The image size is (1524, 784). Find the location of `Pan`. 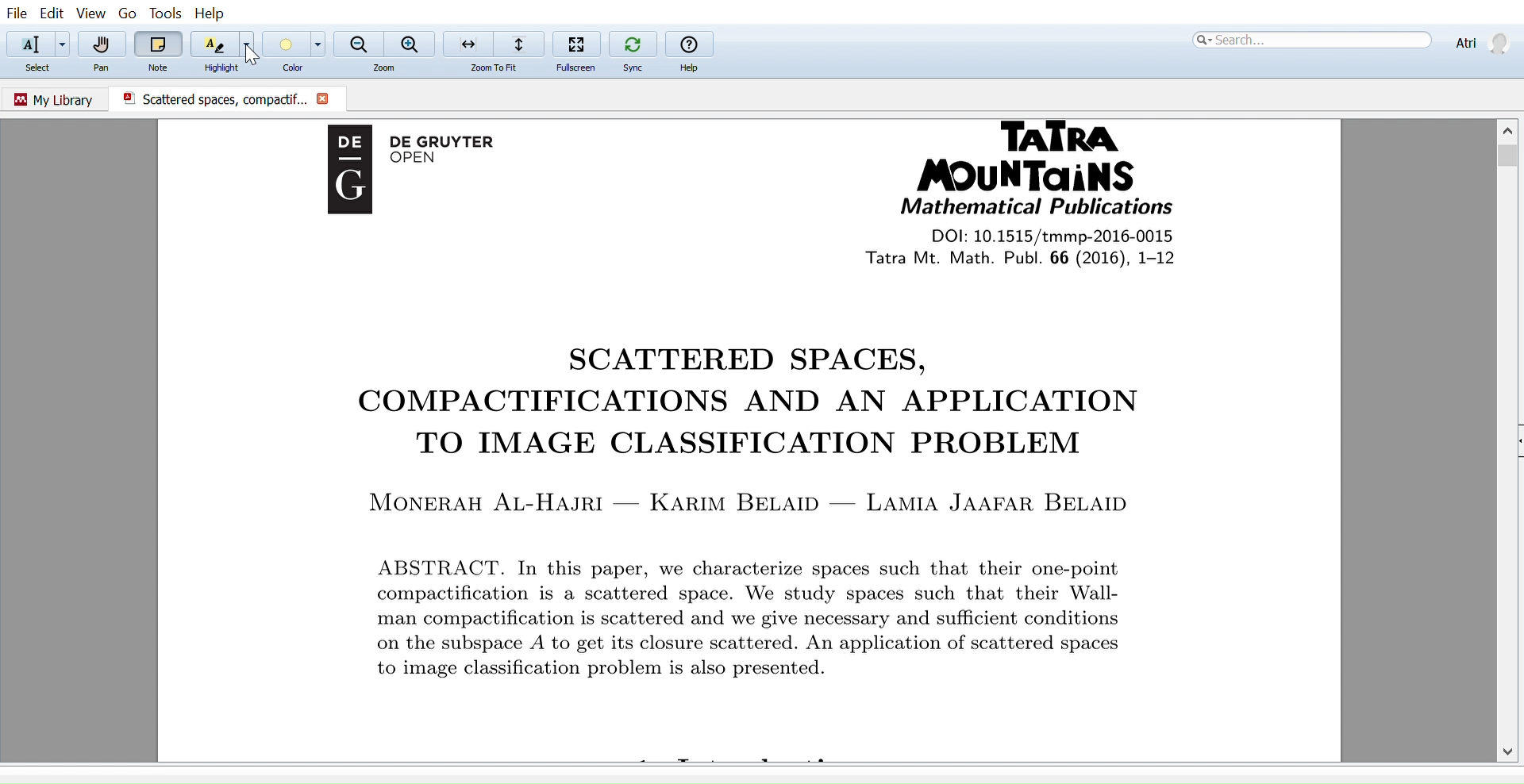

Pan is located at coordinates (103, 69).